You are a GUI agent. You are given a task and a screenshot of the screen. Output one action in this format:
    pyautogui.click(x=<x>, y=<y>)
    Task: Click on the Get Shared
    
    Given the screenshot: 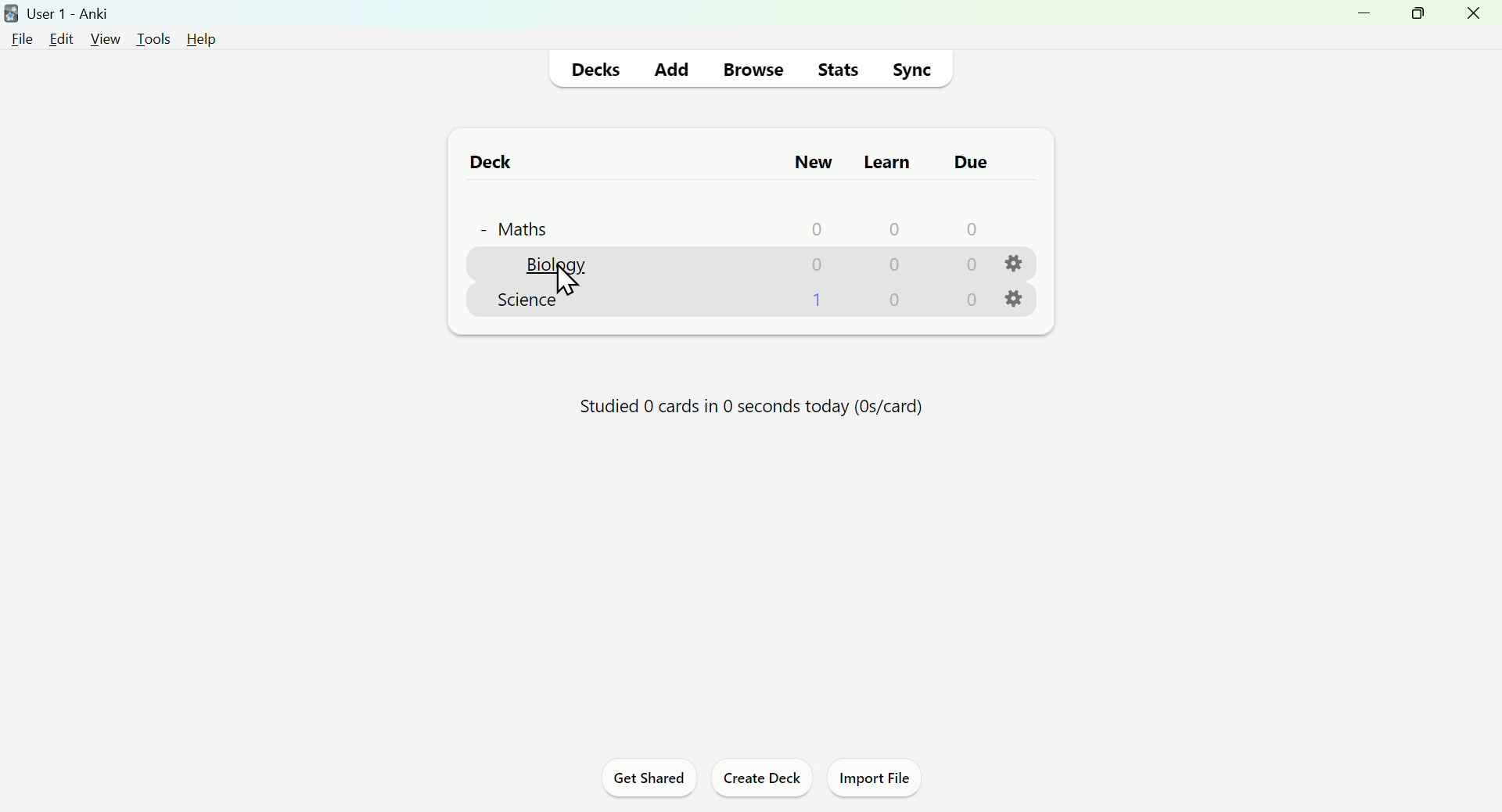 What is the action you would take?
    pyautogui.click(x=650, y=780)
    